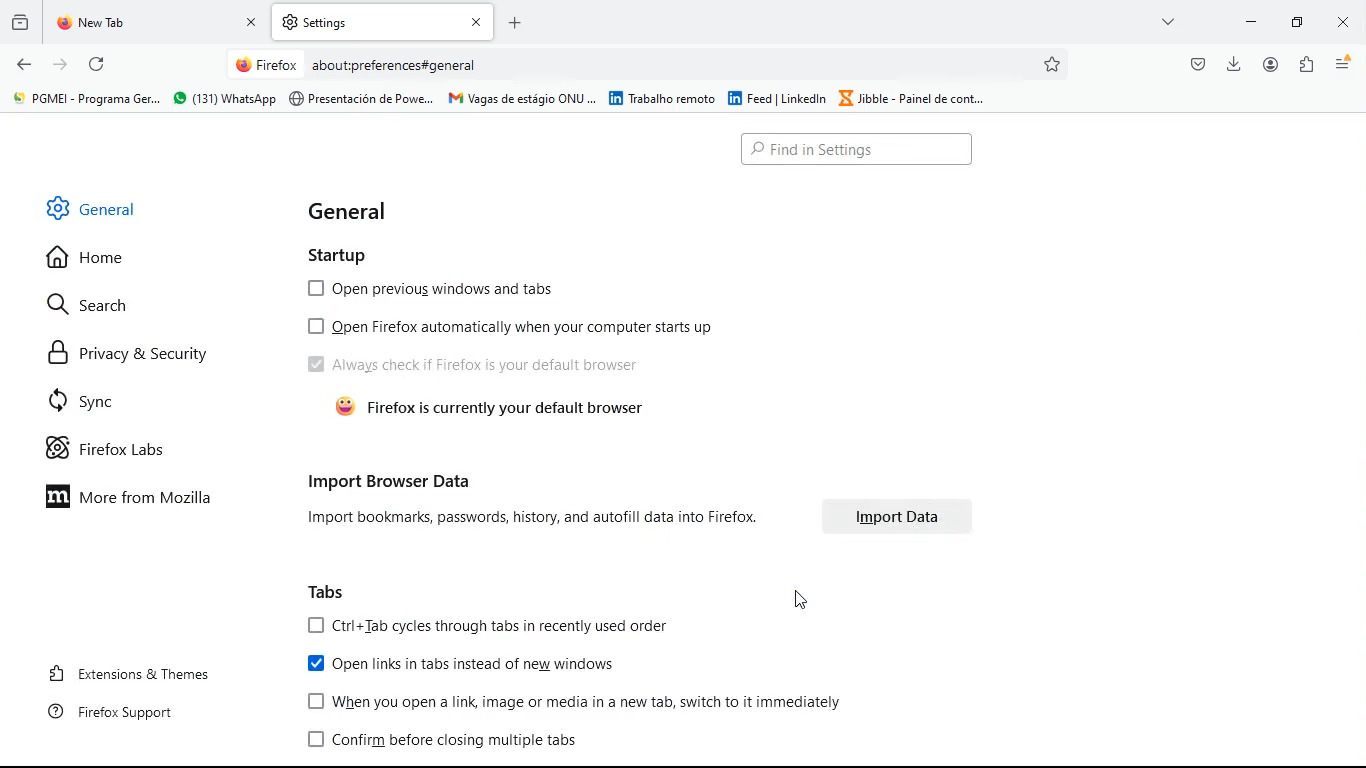 The height and width of the screenshot is (768, 1366). I want to click on &' PGMEI - Programa Ger., so click(84, 99).